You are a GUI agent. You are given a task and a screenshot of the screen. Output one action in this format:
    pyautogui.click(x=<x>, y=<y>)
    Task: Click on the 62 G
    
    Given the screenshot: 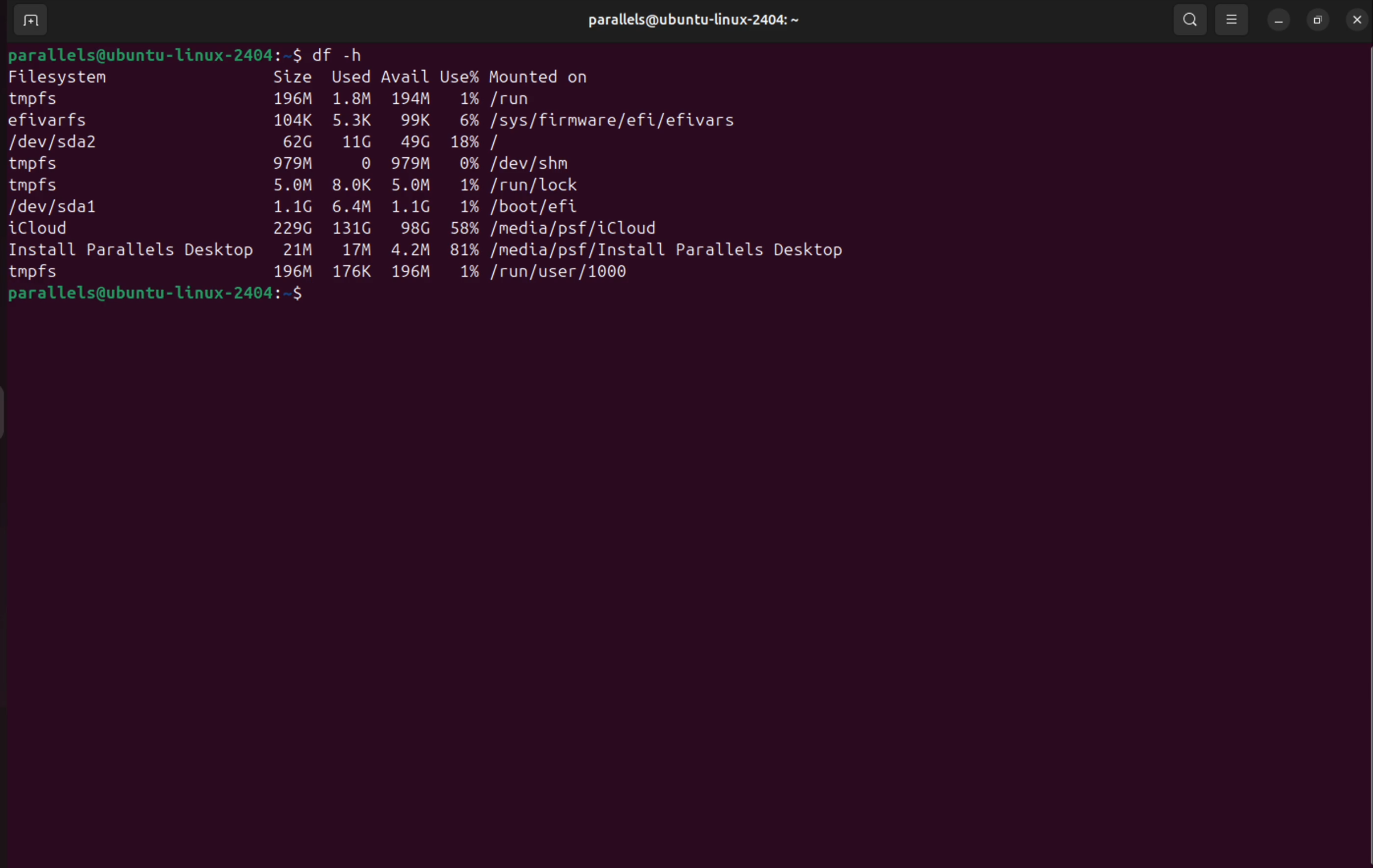 What is the action you would take?
    pyautogui.click(x=296, y=142)
    